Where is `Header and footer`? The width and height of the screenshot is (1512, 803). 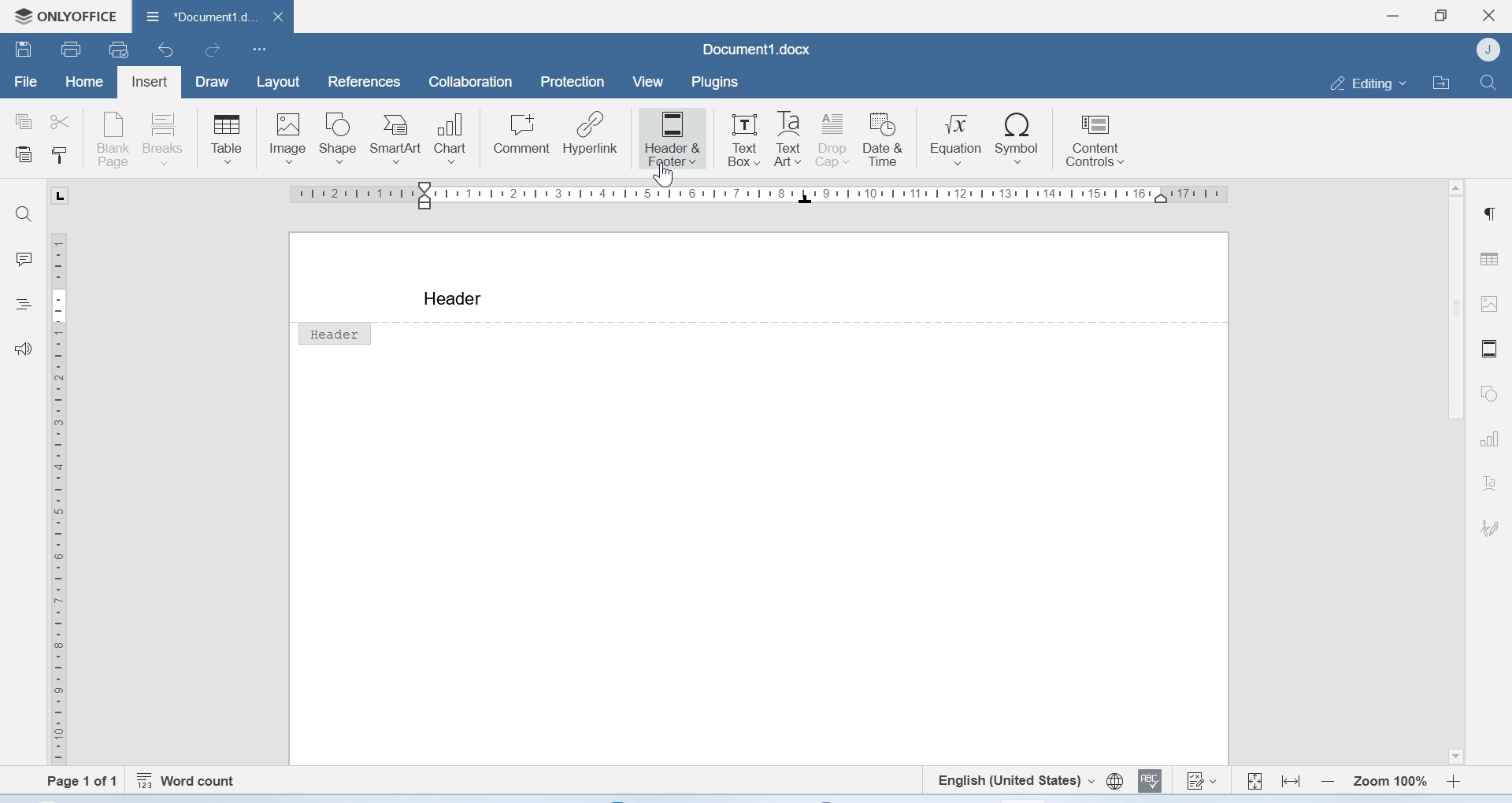 Header and footer is located at coordinates (1488, 349).